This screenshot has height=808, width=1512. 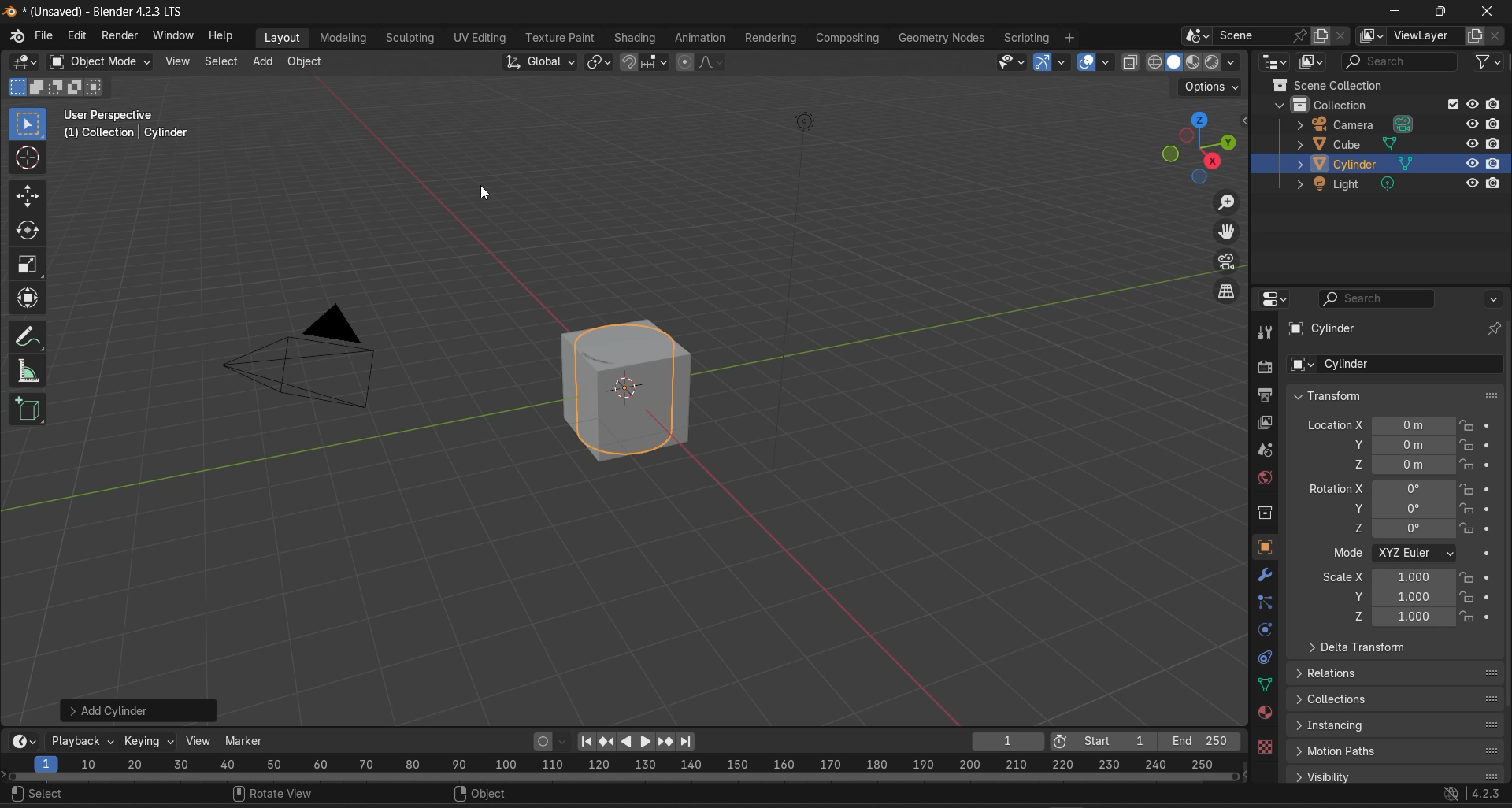 What do you see at coordinates (1265, 574) in the screenshot?
I see `modifiers` at bounding box center [1265, 574].